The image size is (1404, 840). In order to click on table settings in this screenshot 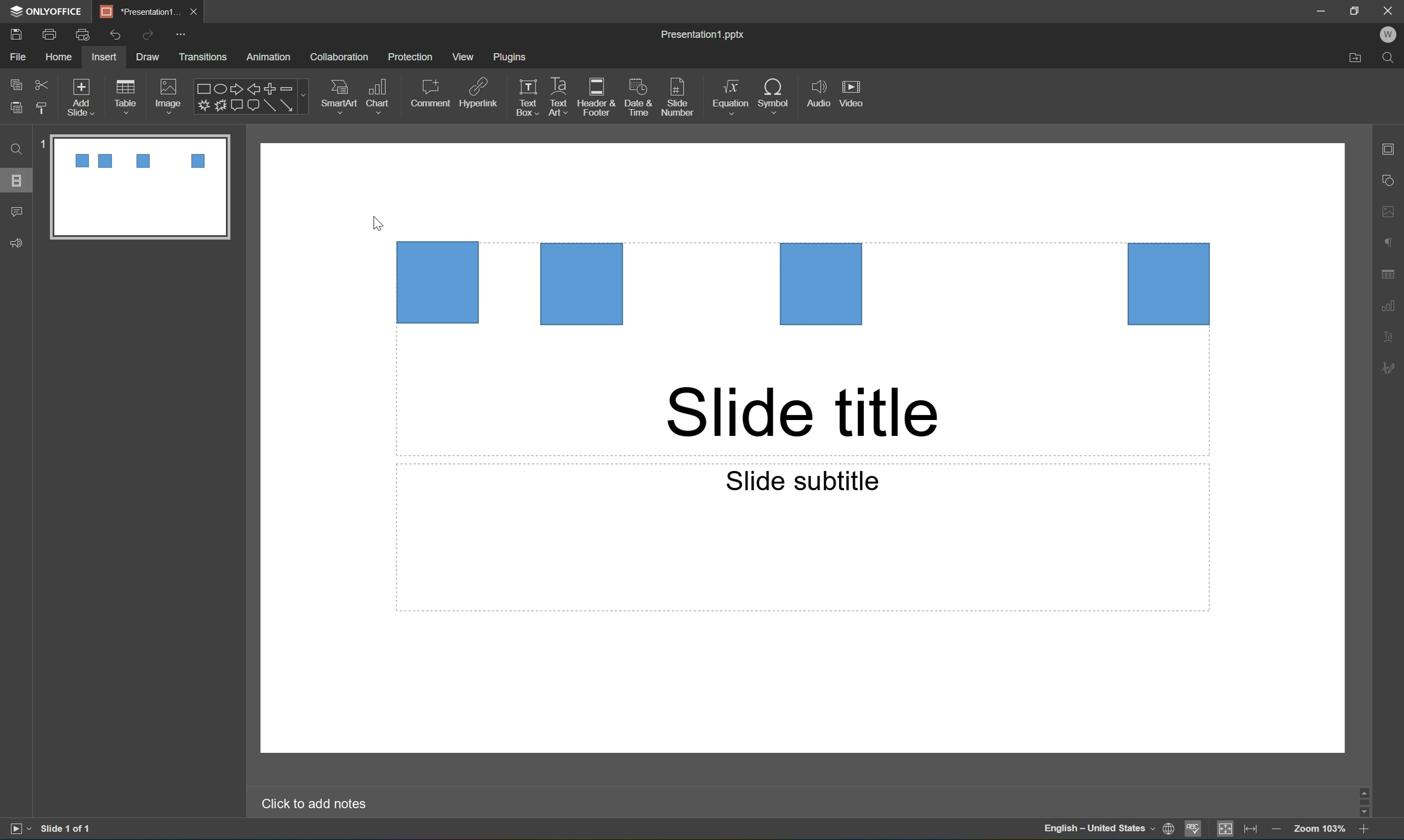, I will do `click(1389, 272)`.